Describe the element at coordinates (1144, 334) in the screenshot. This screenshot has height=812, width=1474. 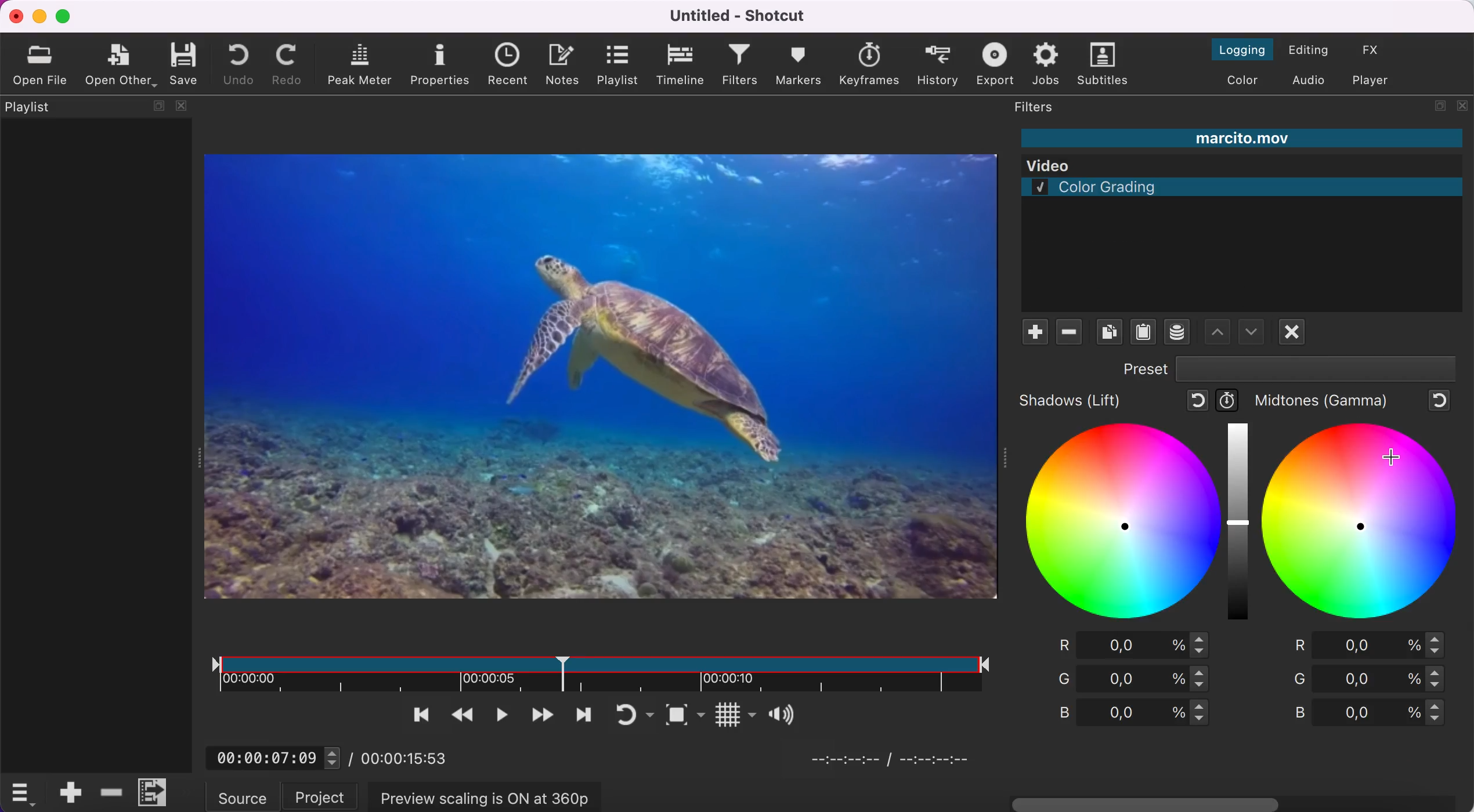
I see `paste filters` at that location.